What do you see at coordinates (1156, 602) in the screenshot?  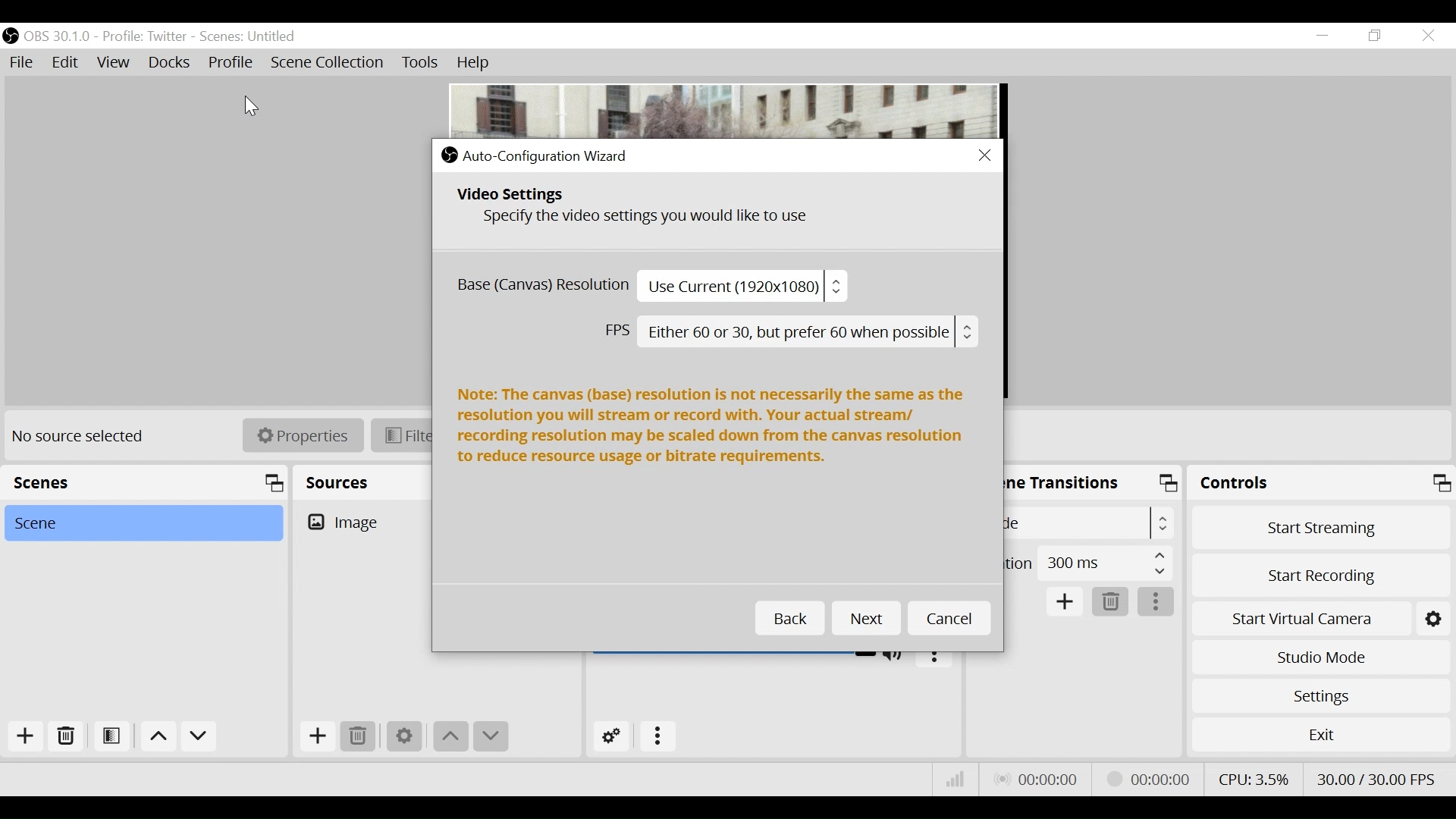 I see `More options` at bounding box center [1156, 602].